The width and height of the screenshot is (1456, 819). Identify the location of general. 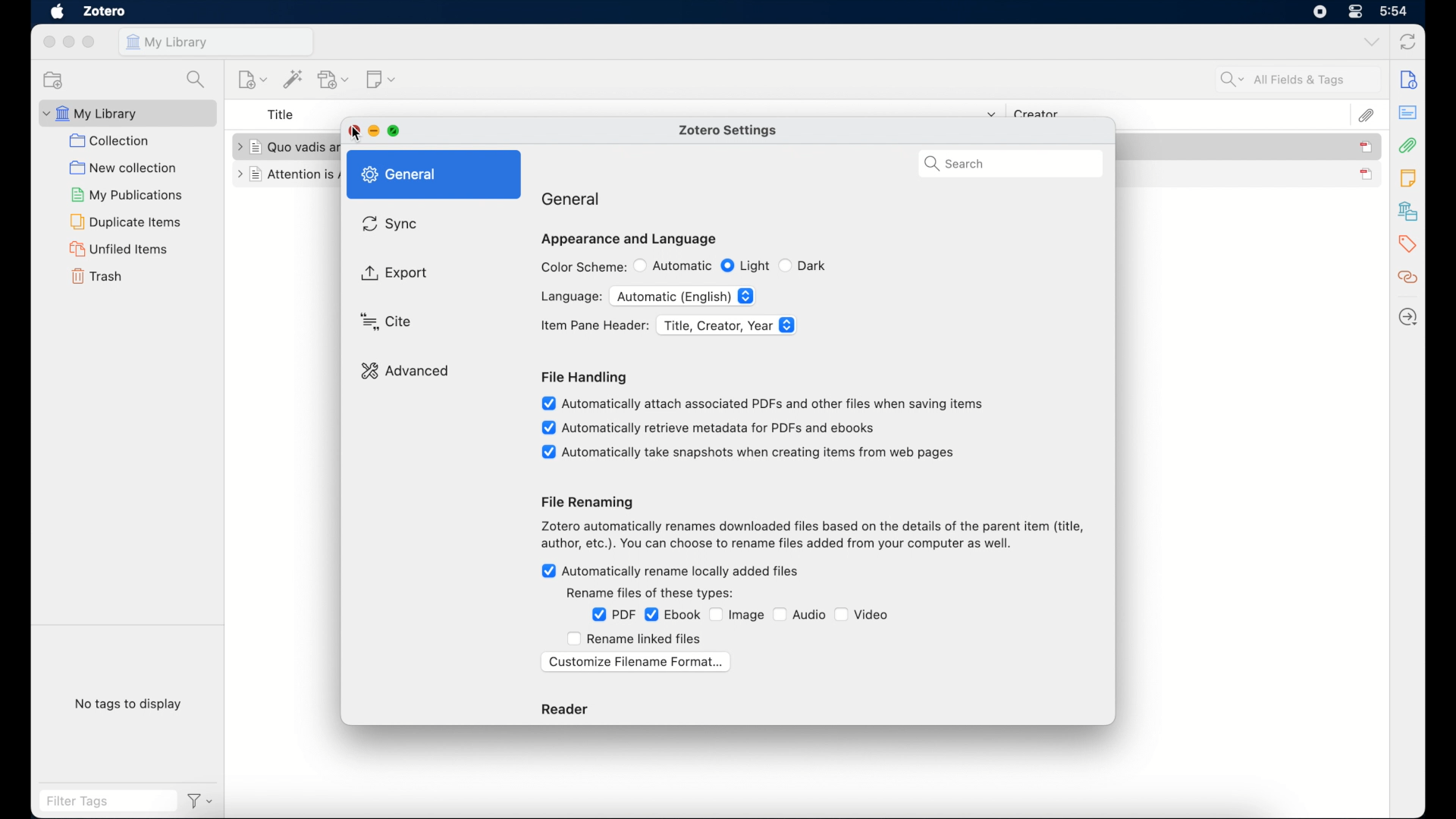
(575, 198).